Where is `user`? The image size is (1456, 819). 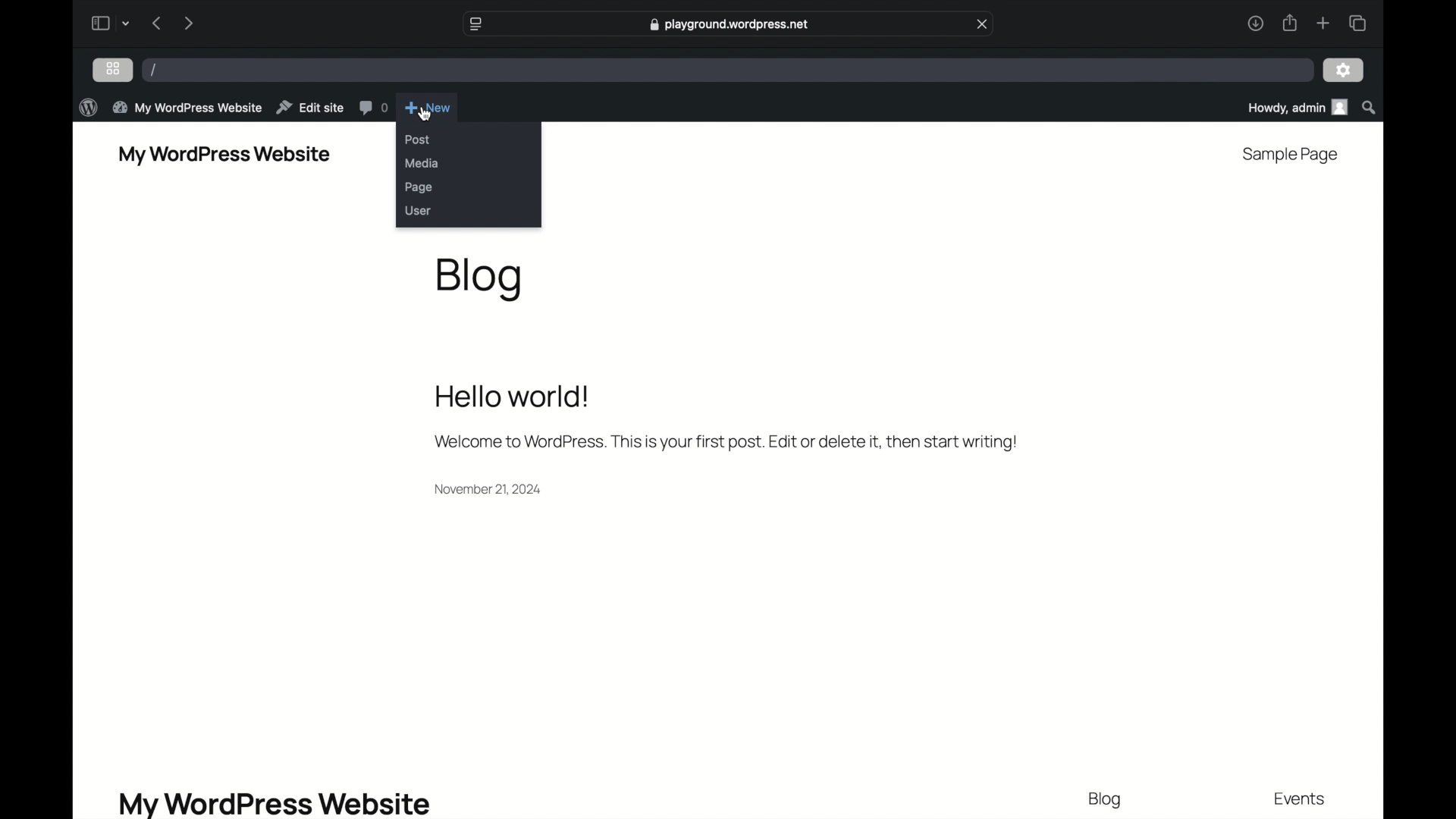
user is located at coordinates (418, 210).